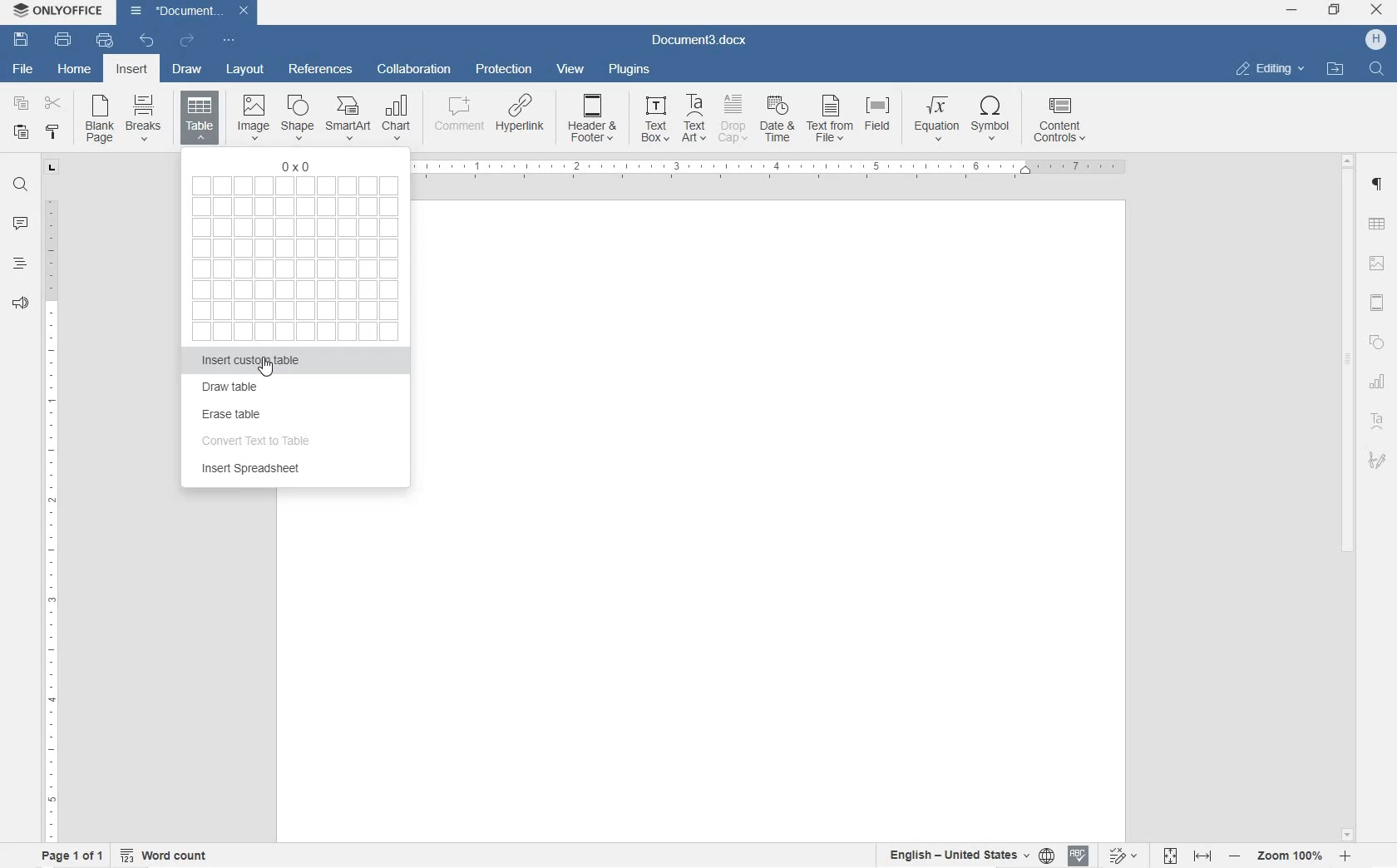  Describe the element at coordinates (881, 119) in the screenshot. I see `Field` at that location.